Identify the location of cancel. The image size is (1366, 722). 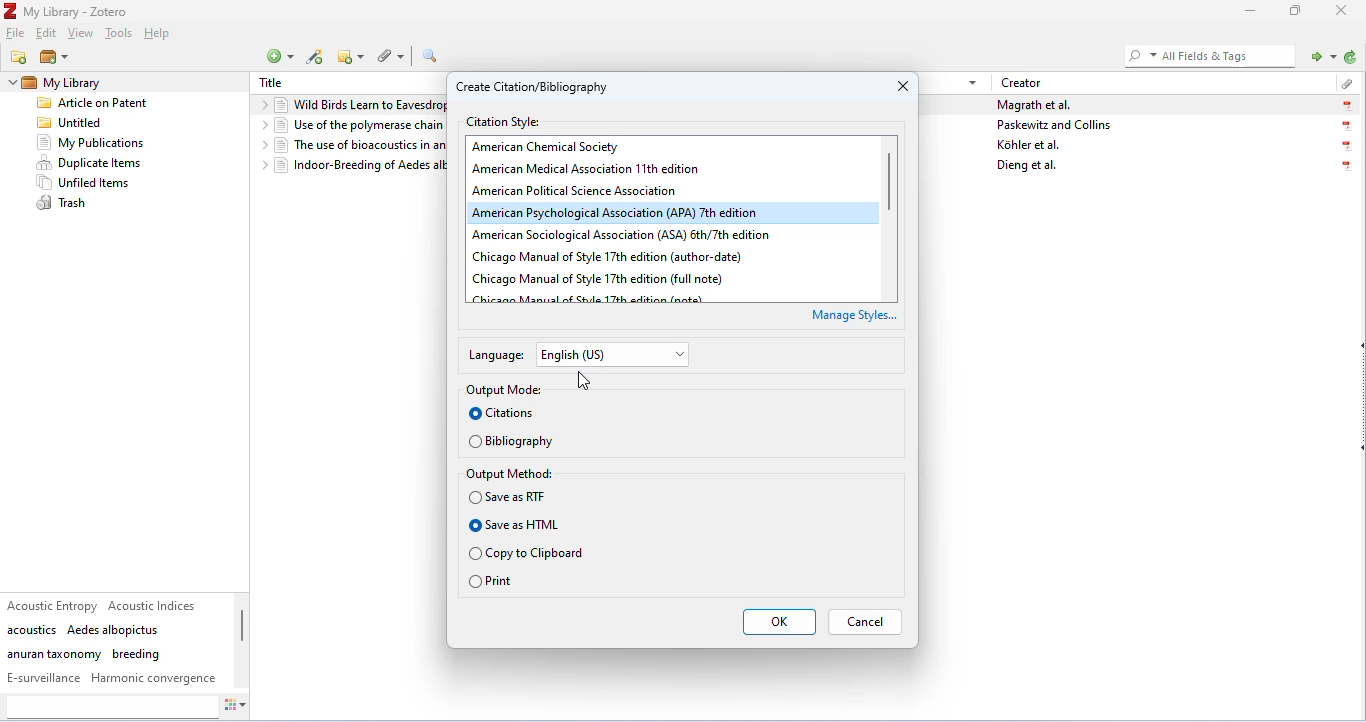
(866, 622).